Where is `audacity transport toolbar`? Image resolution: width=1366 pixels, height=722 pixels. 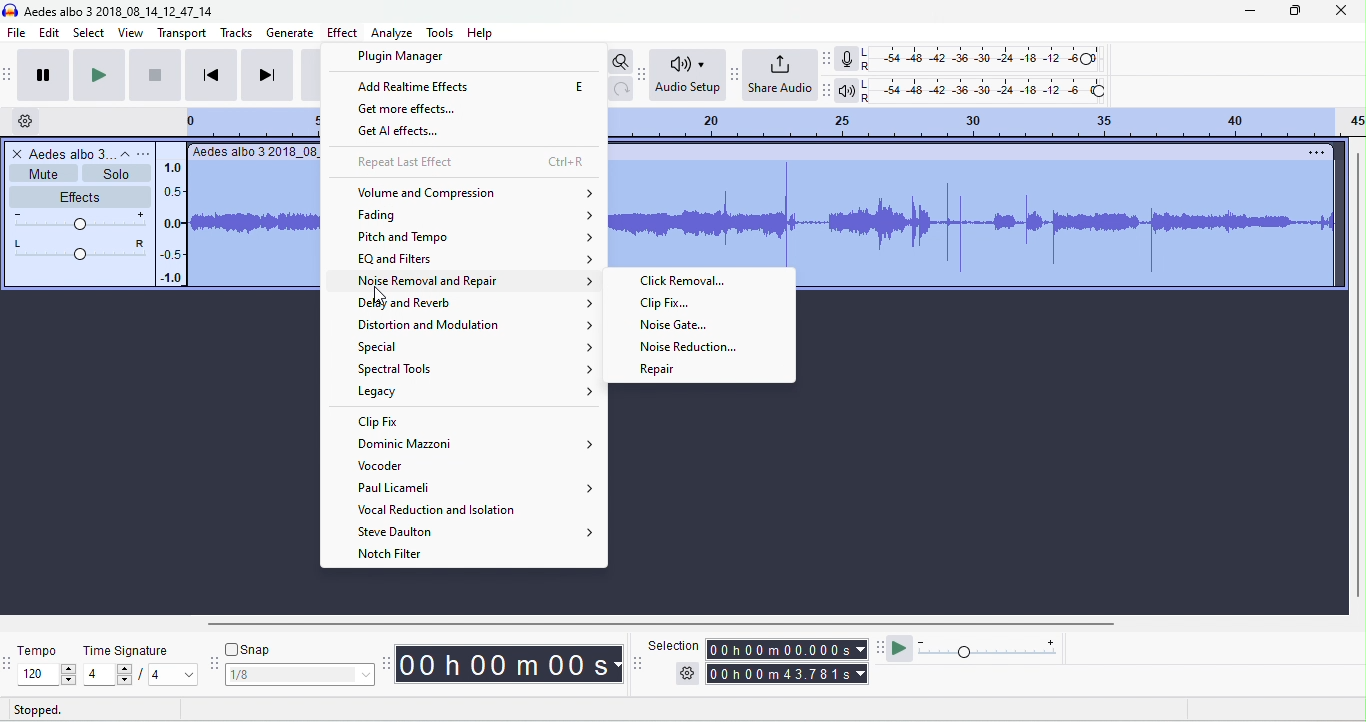
audacity transport toolbar is located at coordinates (9, 72).